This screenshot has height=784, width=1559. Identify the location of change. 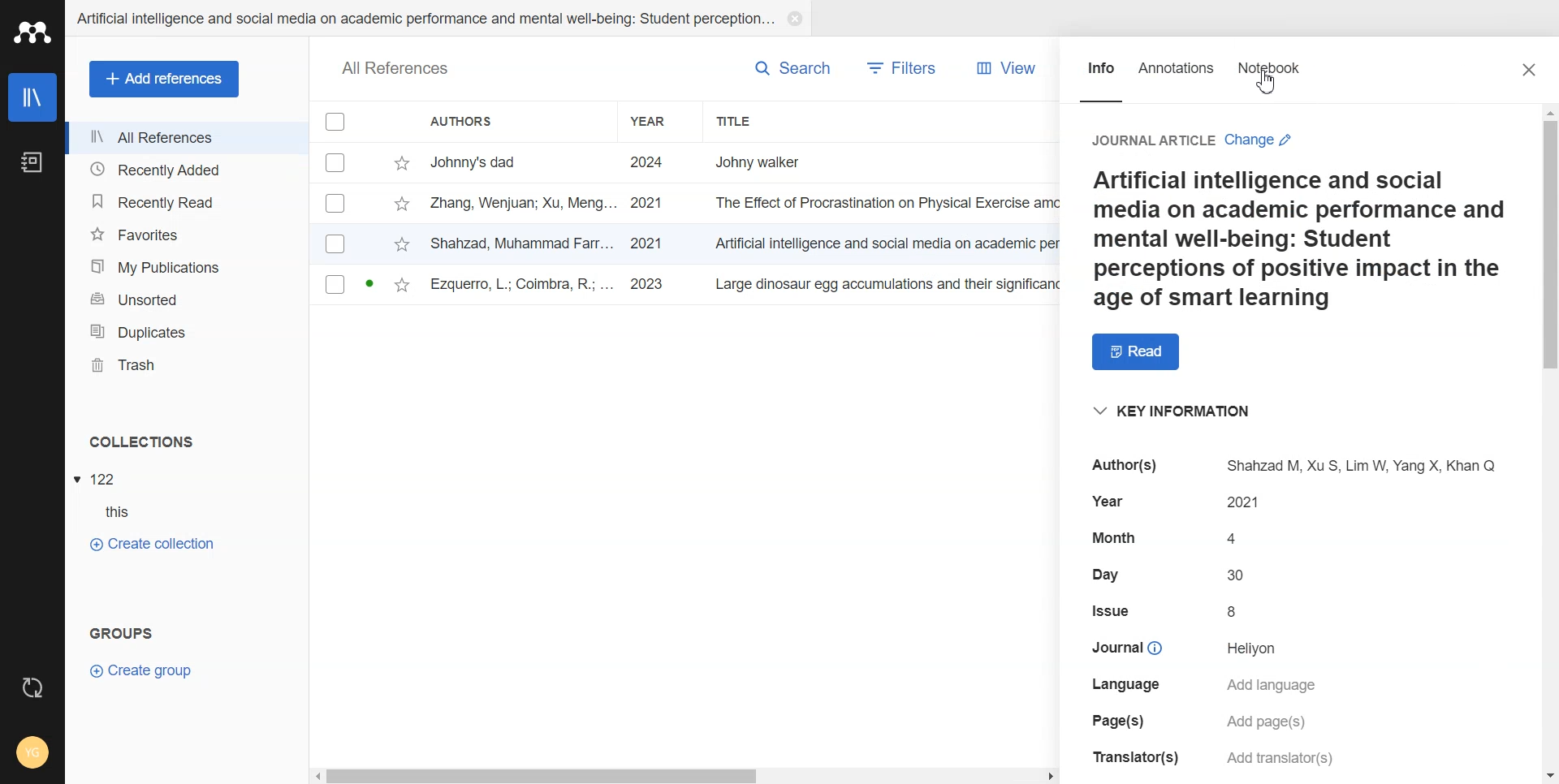
(1259, 140).